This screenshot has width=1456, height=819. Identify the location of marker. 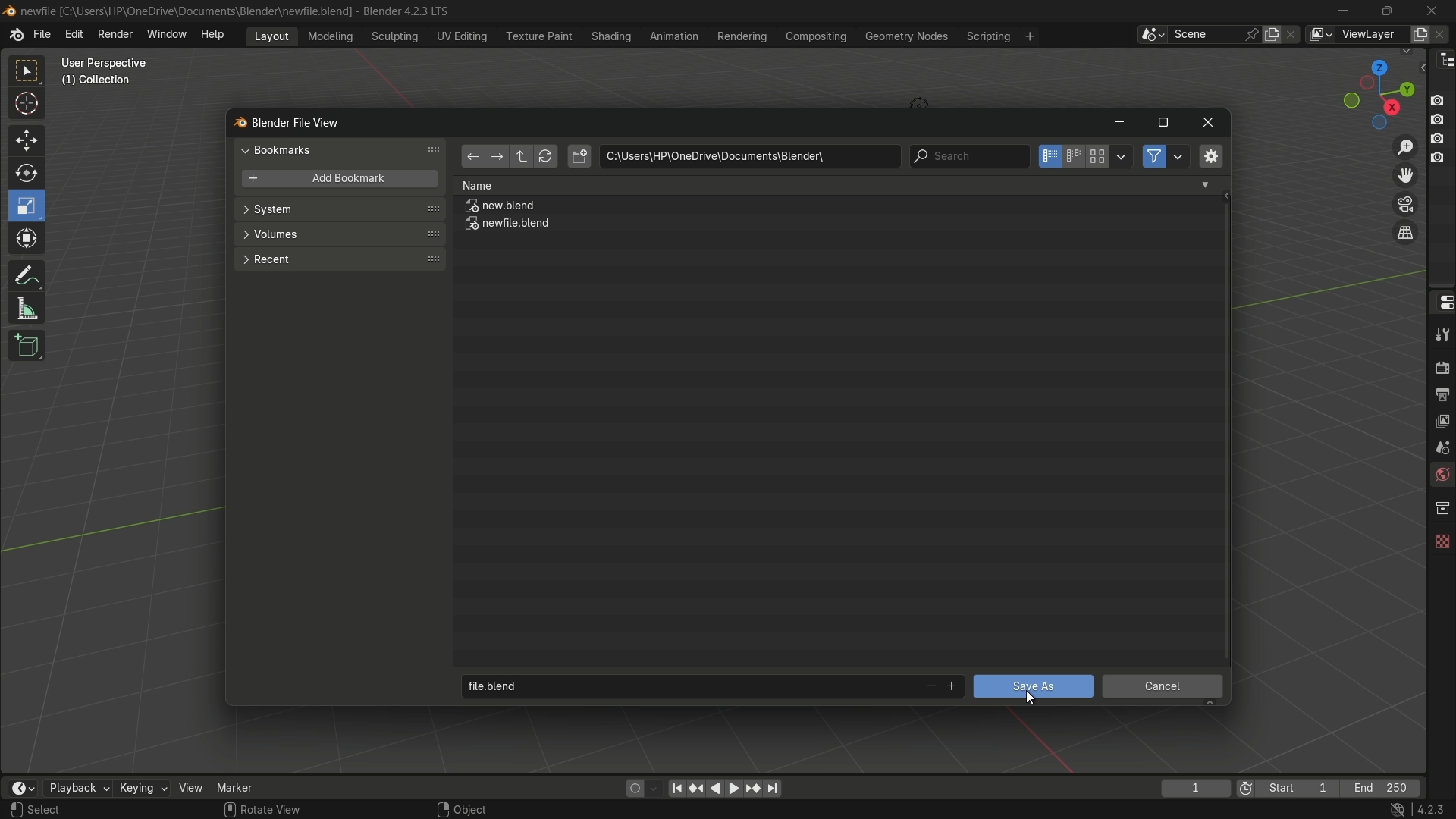
(246, 786).